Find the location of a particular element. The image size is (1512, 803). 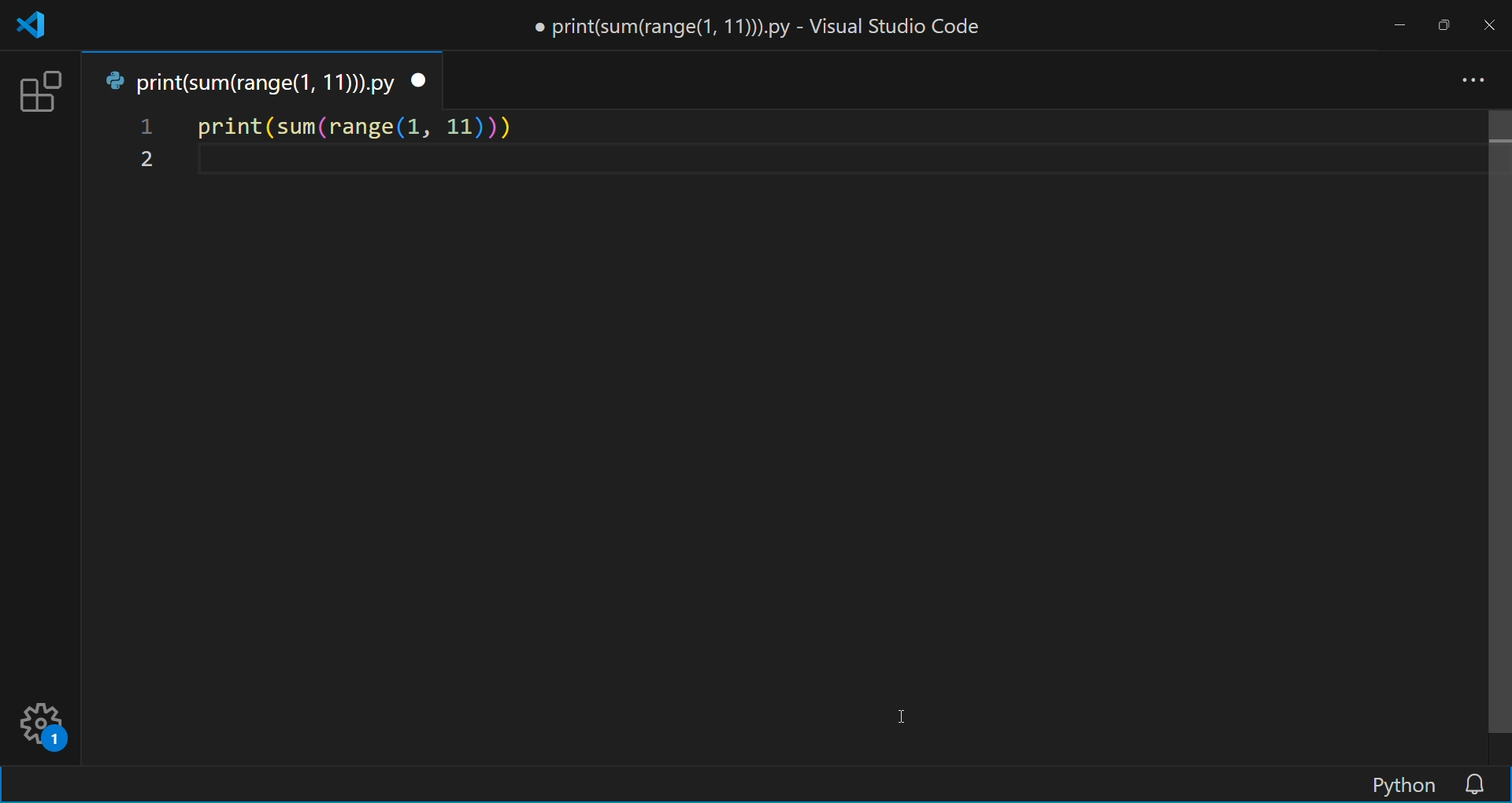

close is located at coordinates (1488, 22).